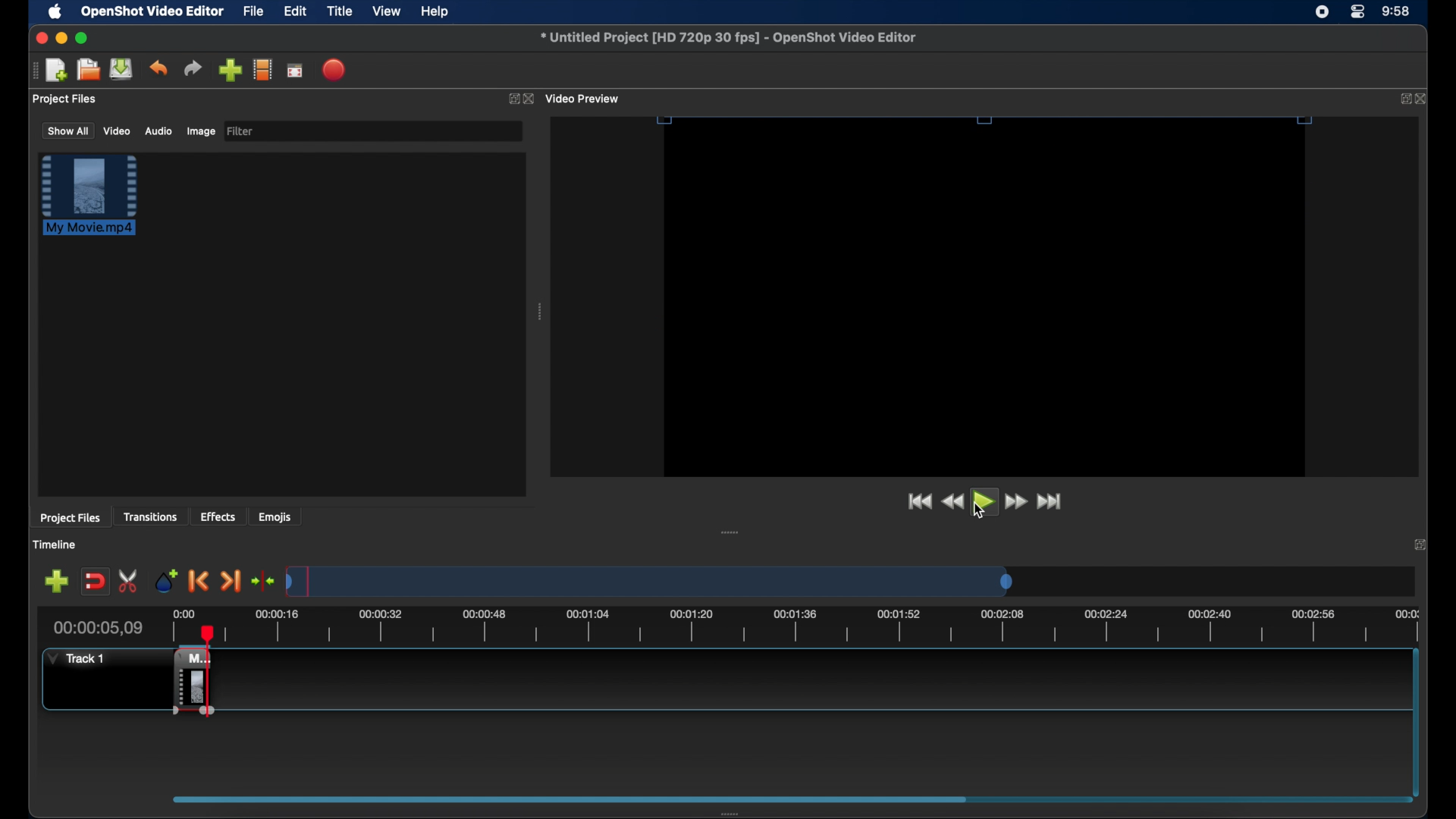 Image resolution: width=1456 pixels, height=819 pixels. I want to click on expand, so click(511, 99).